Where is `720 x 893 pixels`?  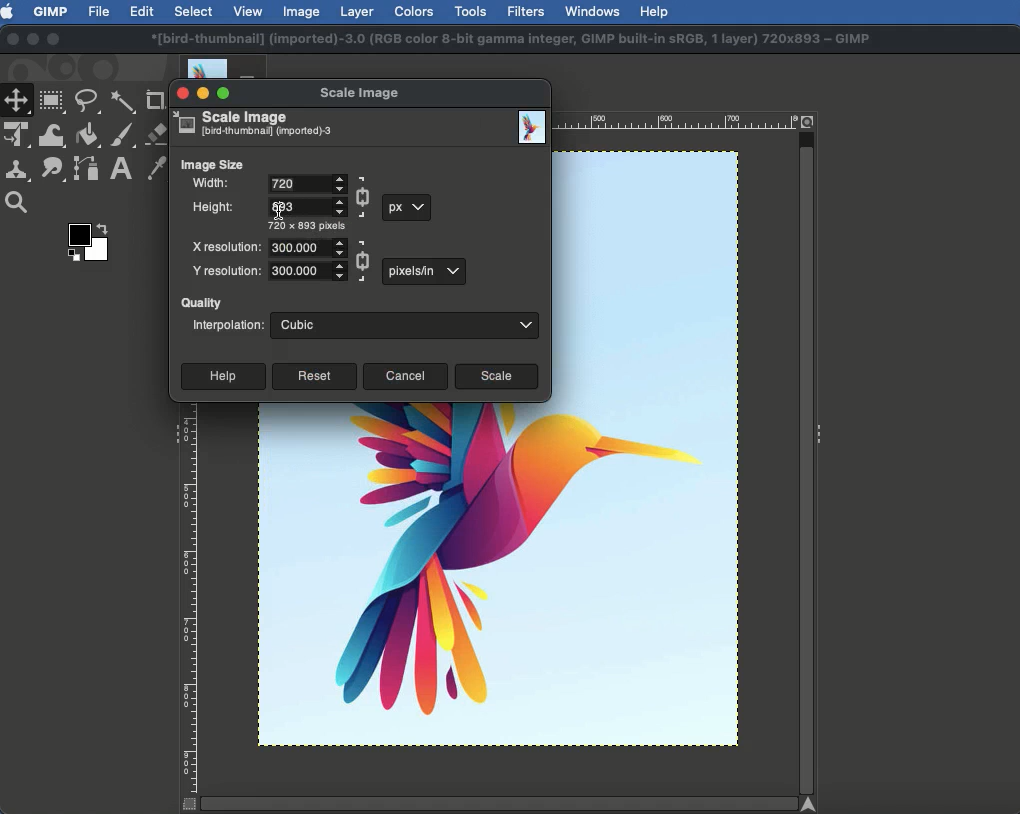
720 x 893 pixels is located at coordinates (310, 226).